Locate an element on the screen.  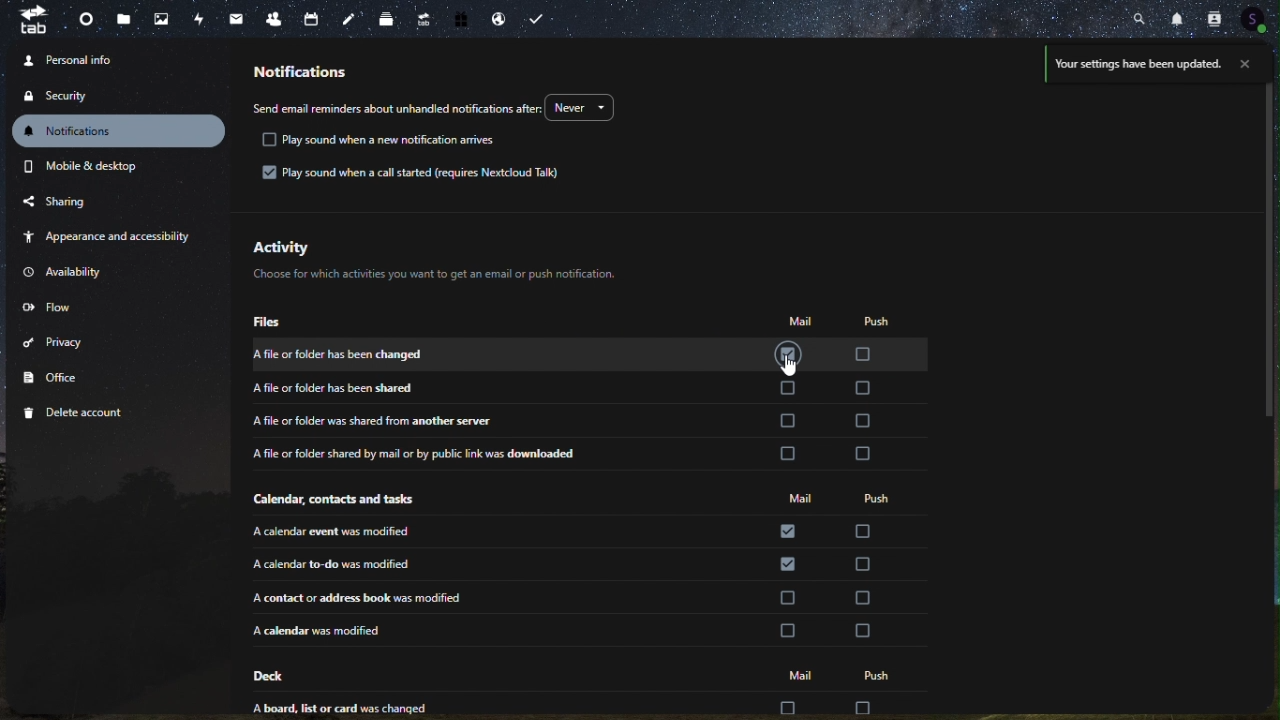
scroll bar is located at coordinates (1266, 235).